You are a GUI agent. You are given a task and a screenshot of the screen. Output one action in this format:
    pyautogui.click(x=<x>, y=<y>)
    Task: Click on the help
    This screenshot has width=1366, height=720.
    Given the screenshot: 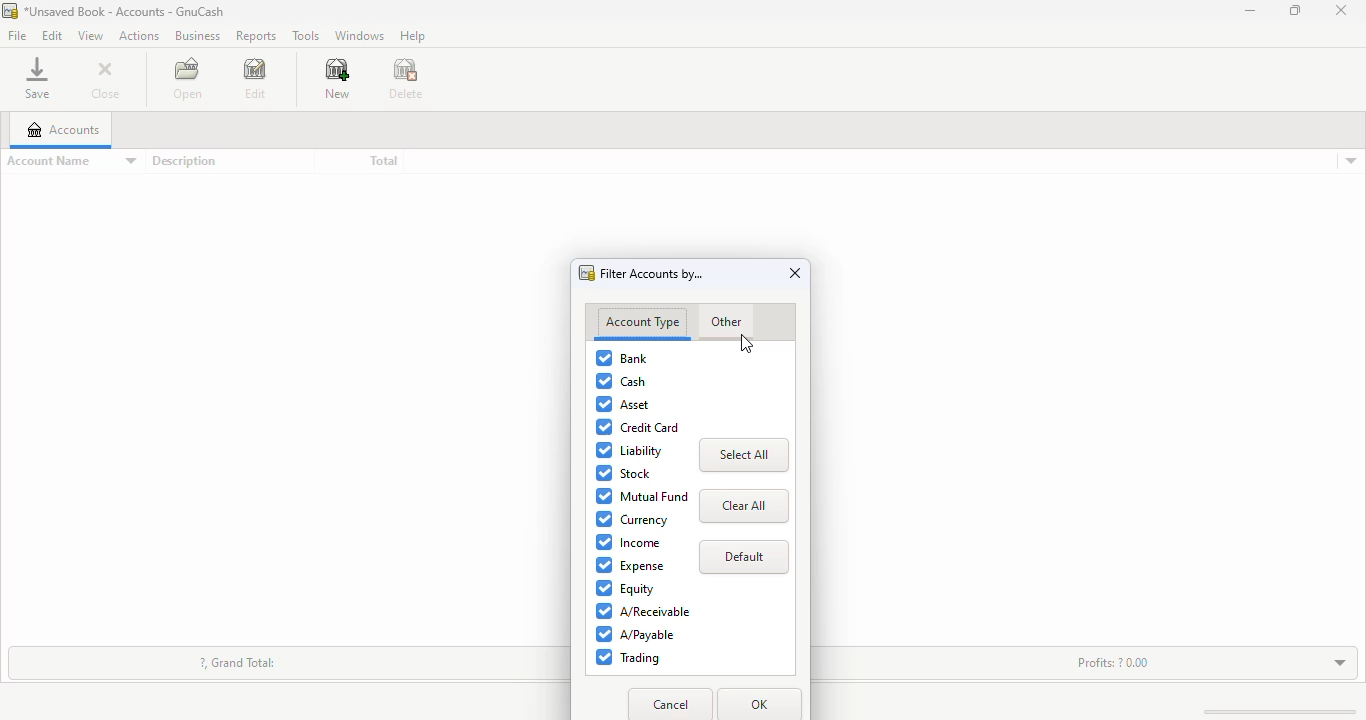 What is the action you would take?
    pyautogui.click(x=412, y=35)
    